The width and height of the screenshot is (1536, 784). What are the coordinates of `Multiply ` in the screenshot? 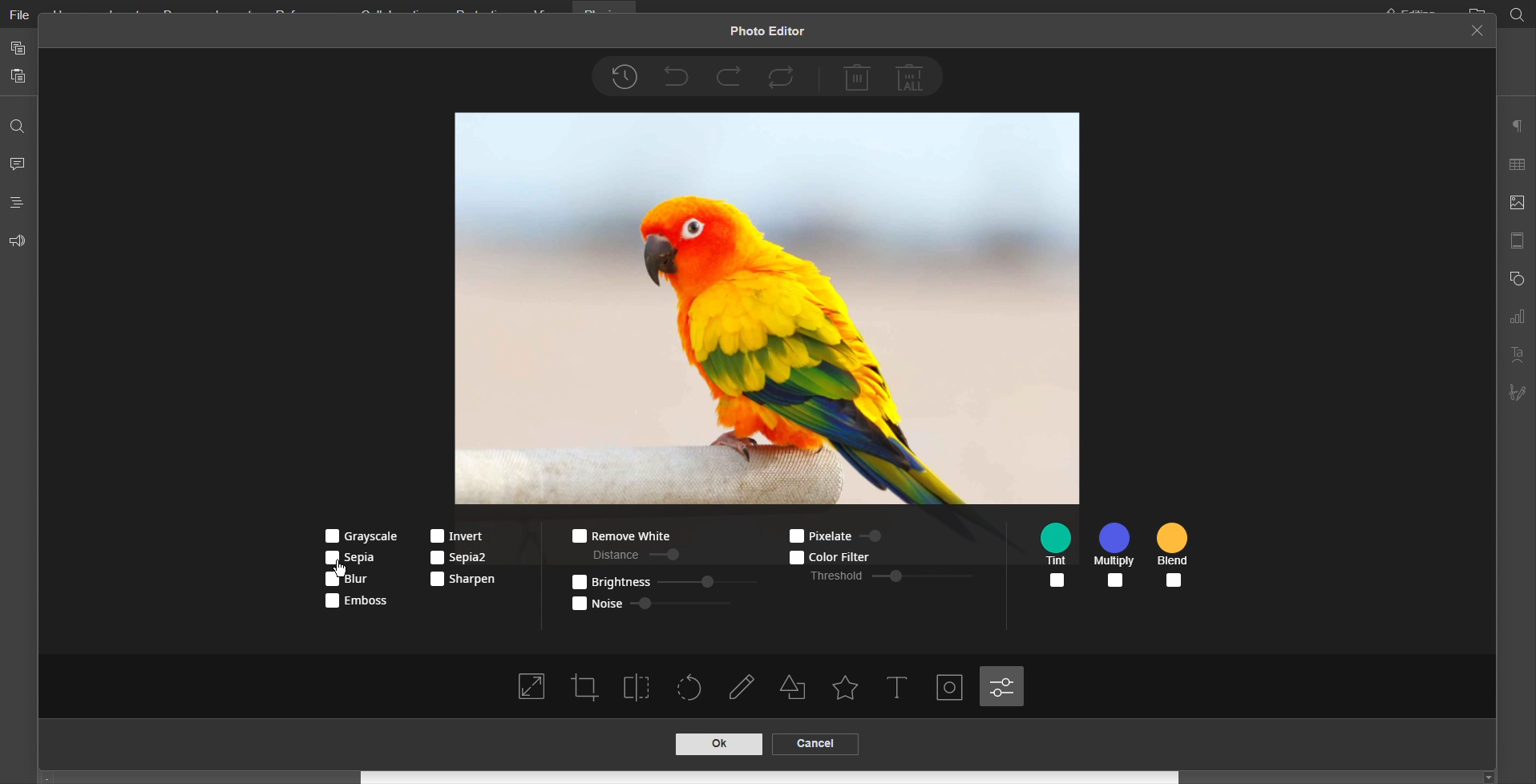 It's located at (1117, 556).